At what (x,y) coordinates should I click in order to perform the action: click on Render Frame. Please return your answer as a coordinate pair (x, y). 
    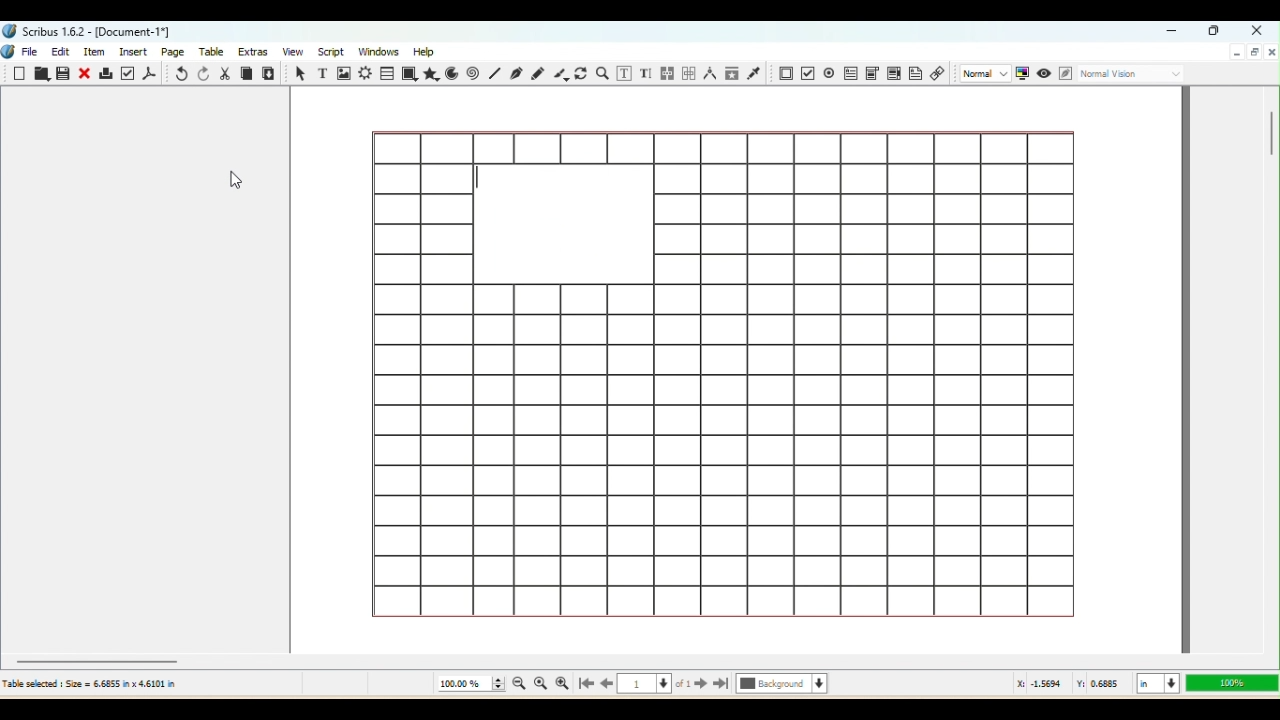
    Looking at the image, I should click on (365, 73).